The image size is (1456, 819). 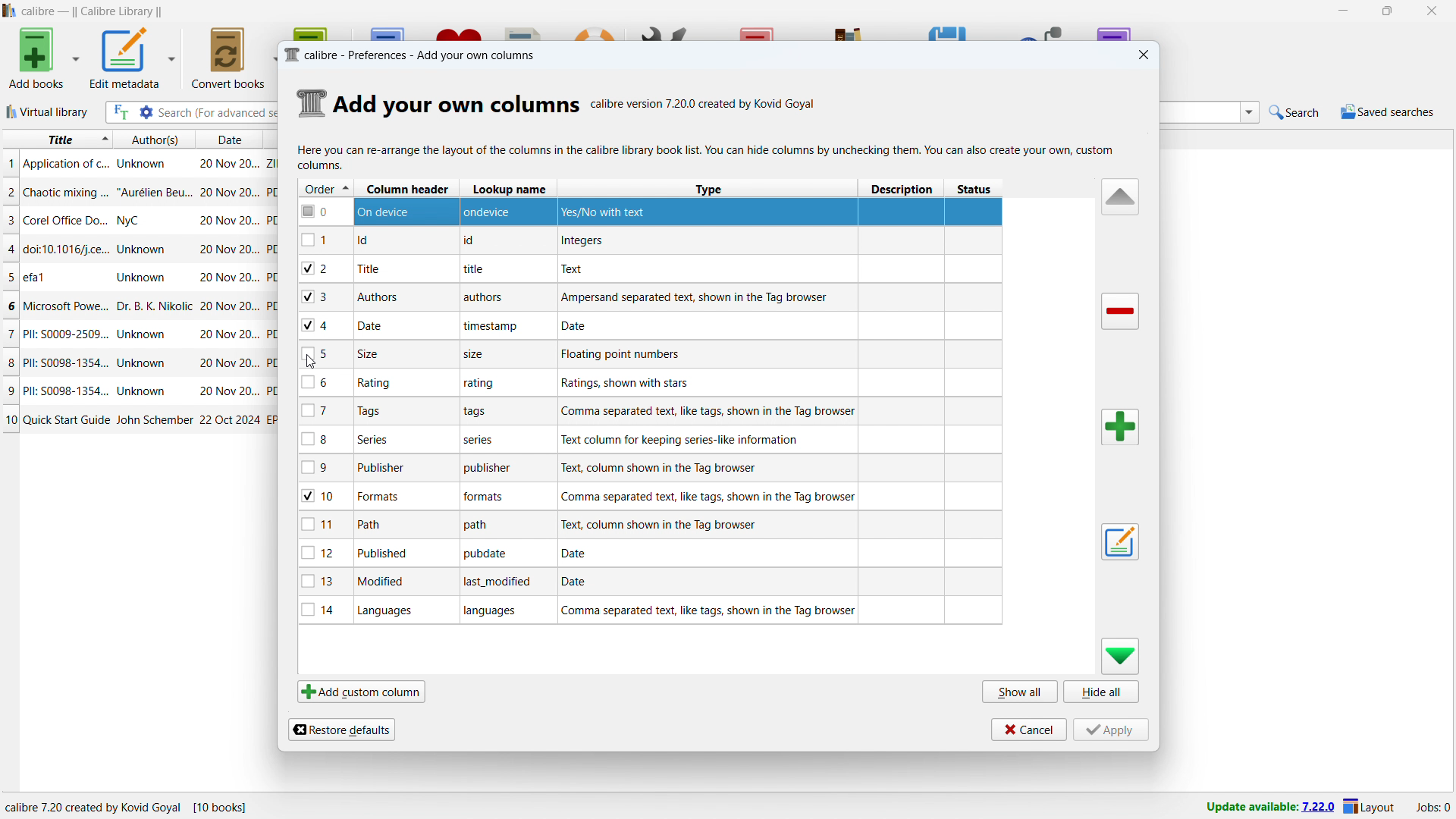 I want to click on move up a column, so click(x=1120, y=197).